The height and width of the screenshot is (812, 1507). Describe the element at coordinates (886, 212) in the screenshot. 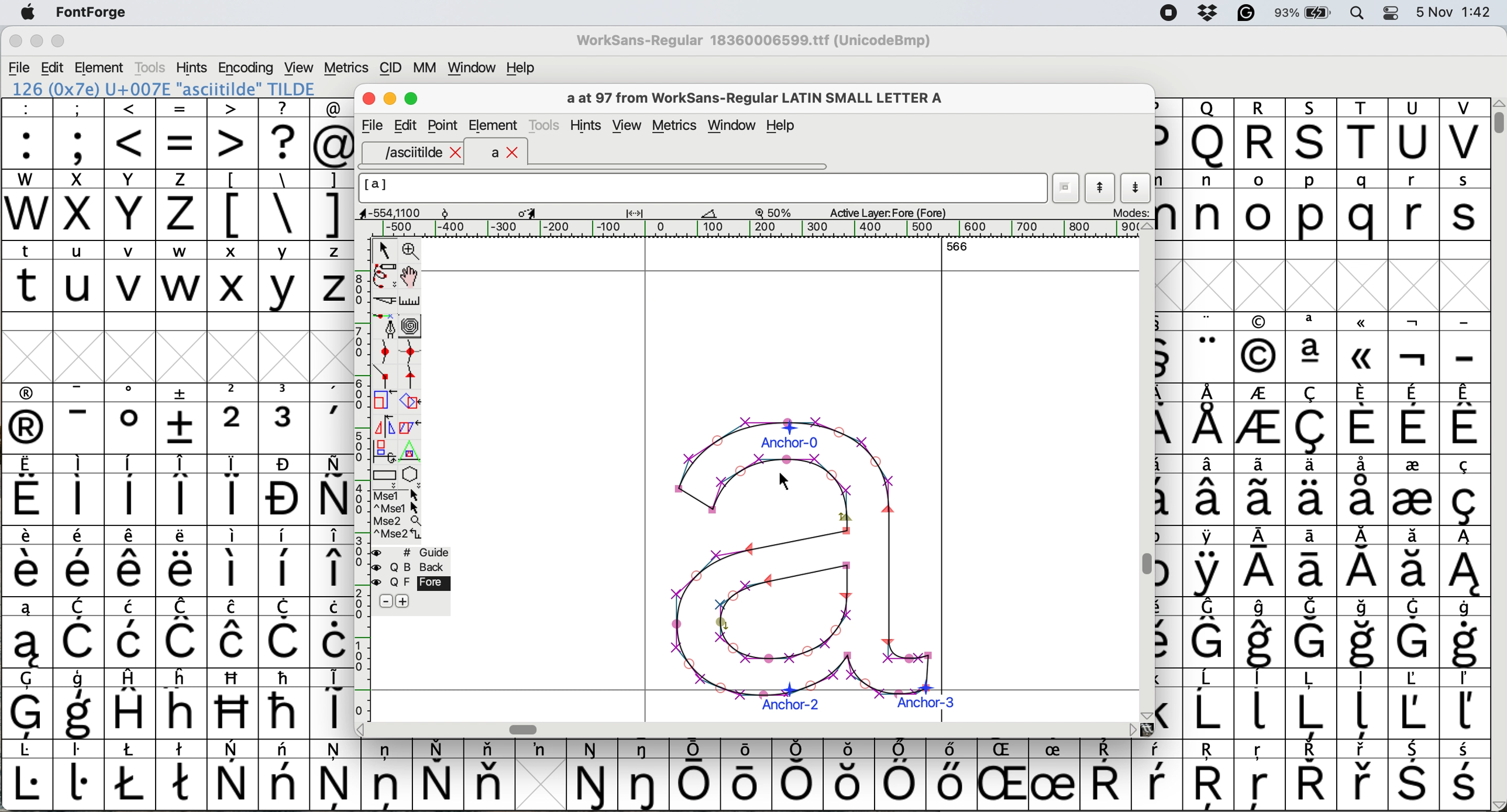

I see `active layer` at that location.